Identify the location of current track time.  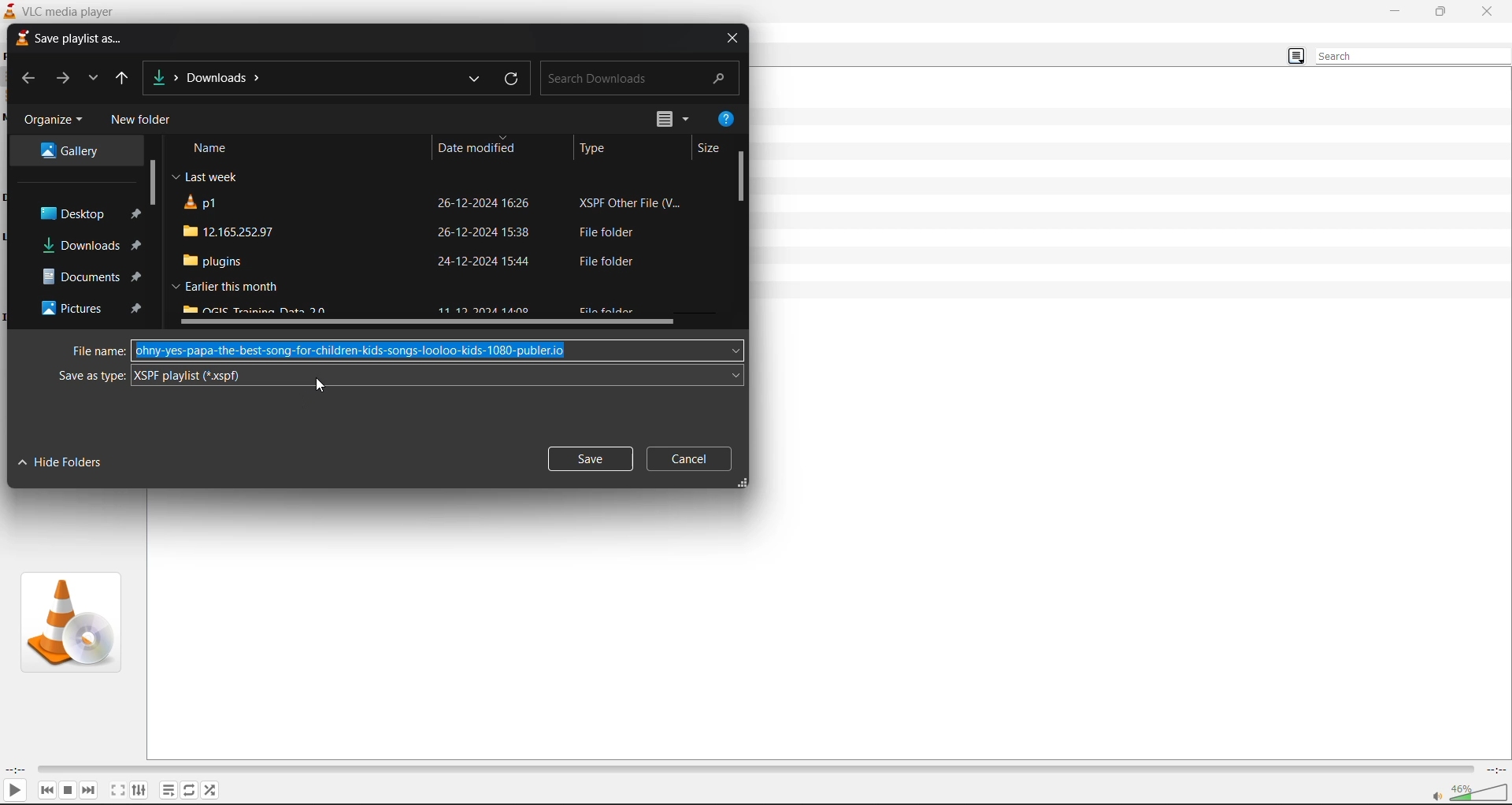
(20, 768).